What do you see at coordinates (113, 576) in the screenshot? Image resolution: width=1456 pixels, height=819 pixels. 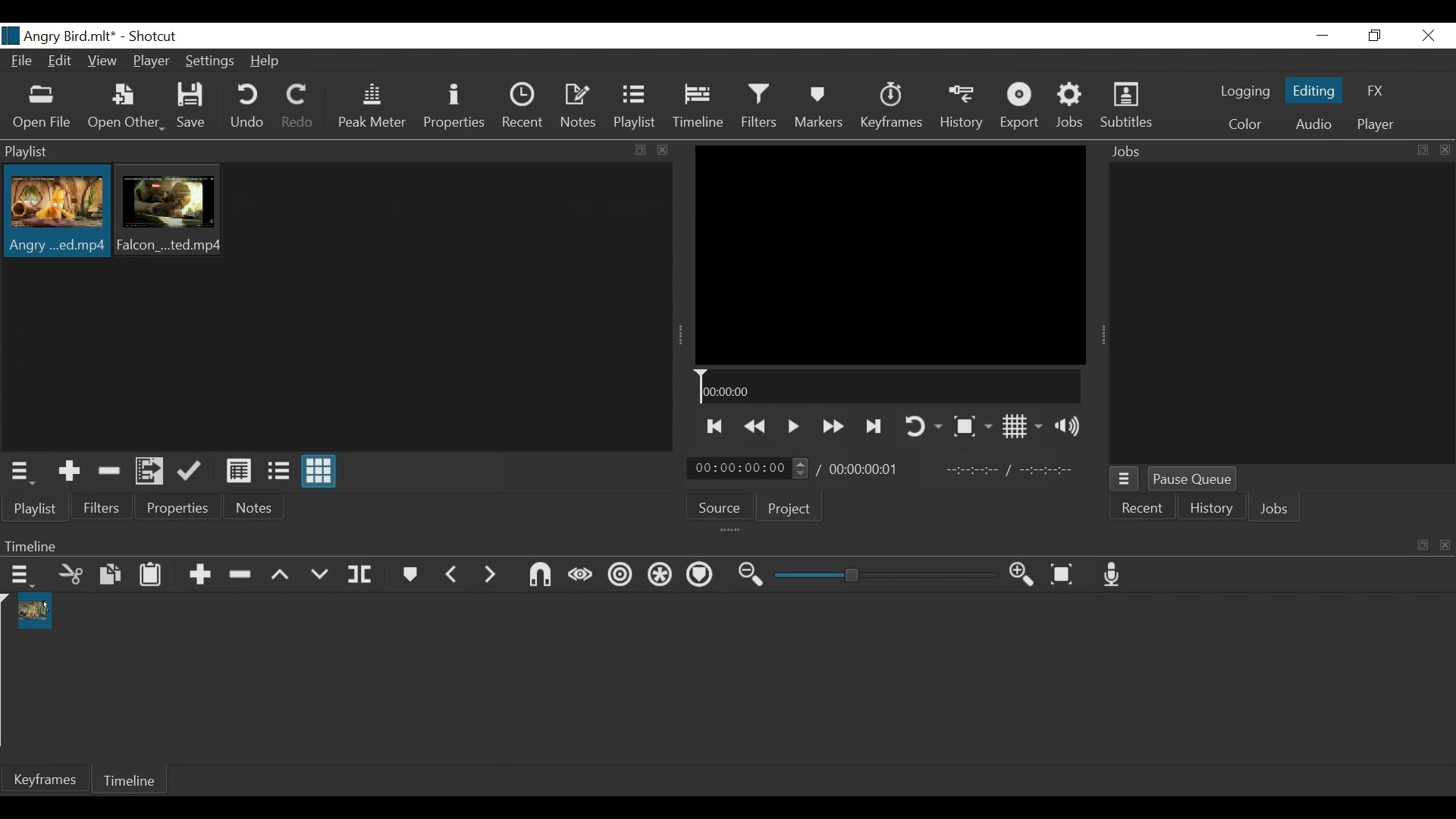 I see `Copy` at bounding box center [113, 576].